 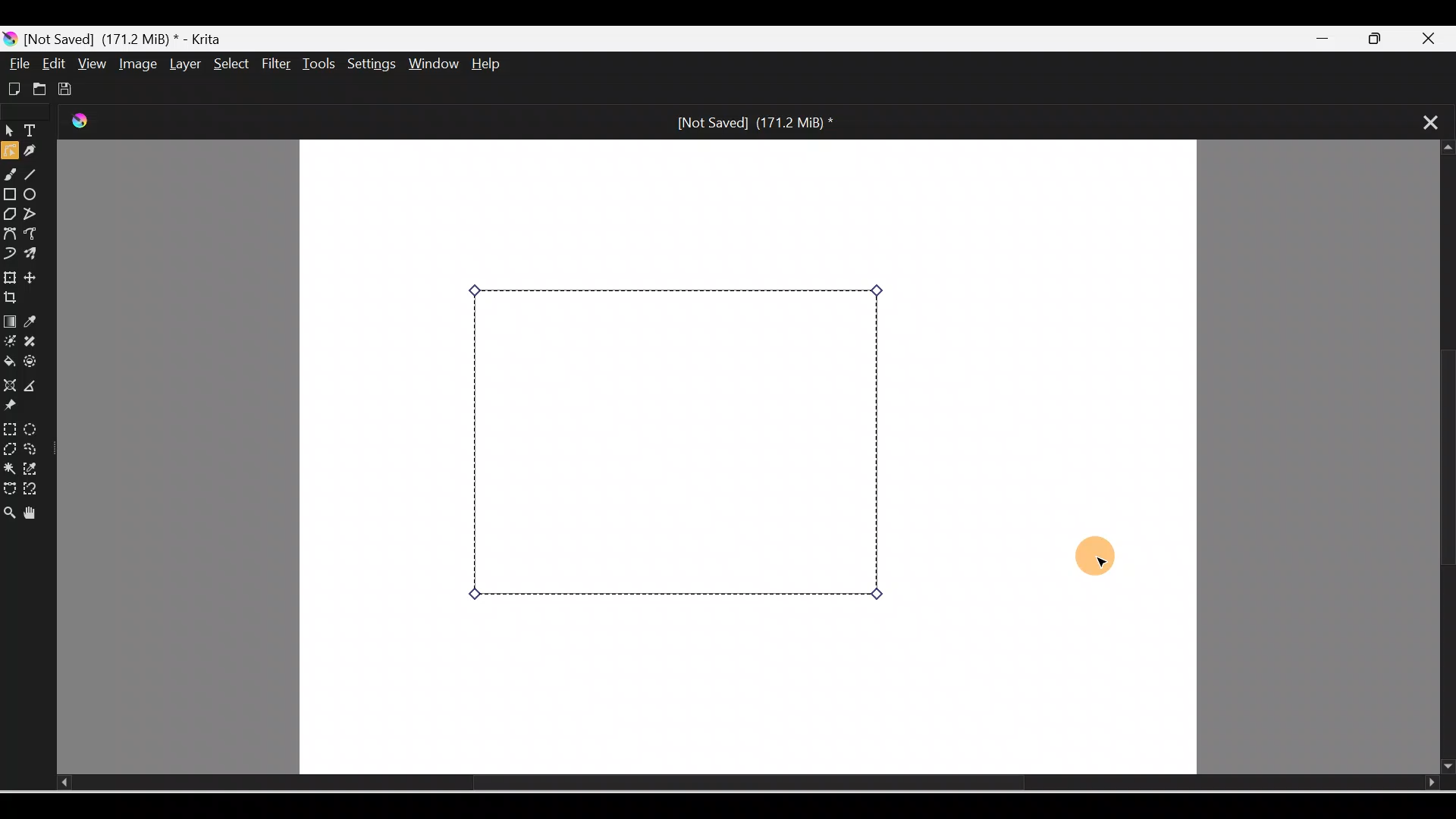 What do you see at coordinates (37, 342) in the screenshot?
I see `Smart patch tool` at bounding box center [37, 342].